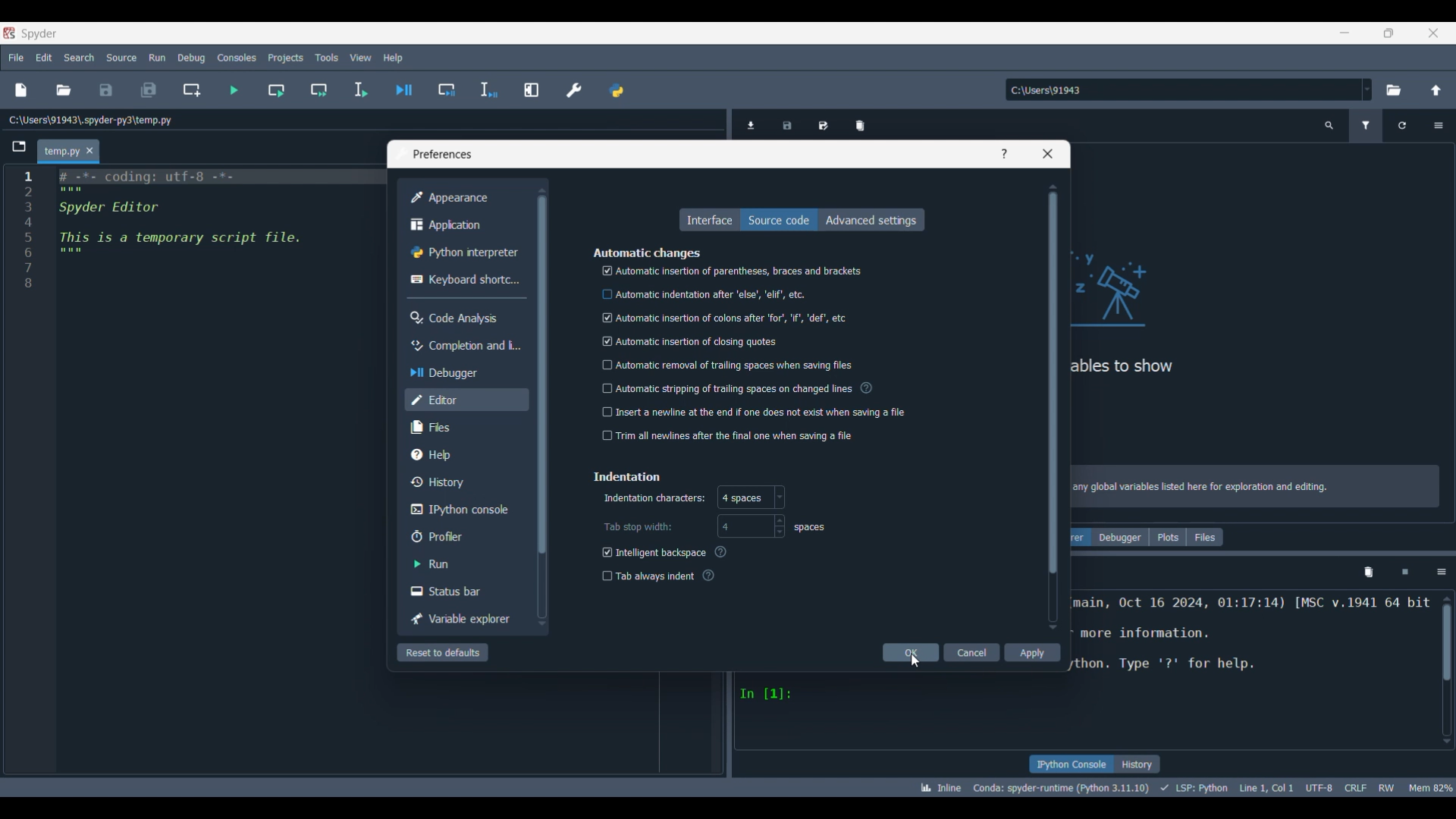 The image size is (1456, 819). I want to click on | Automatic insertion of colons after ‘for’, "if, 'def’, etc, so click(726, 319).